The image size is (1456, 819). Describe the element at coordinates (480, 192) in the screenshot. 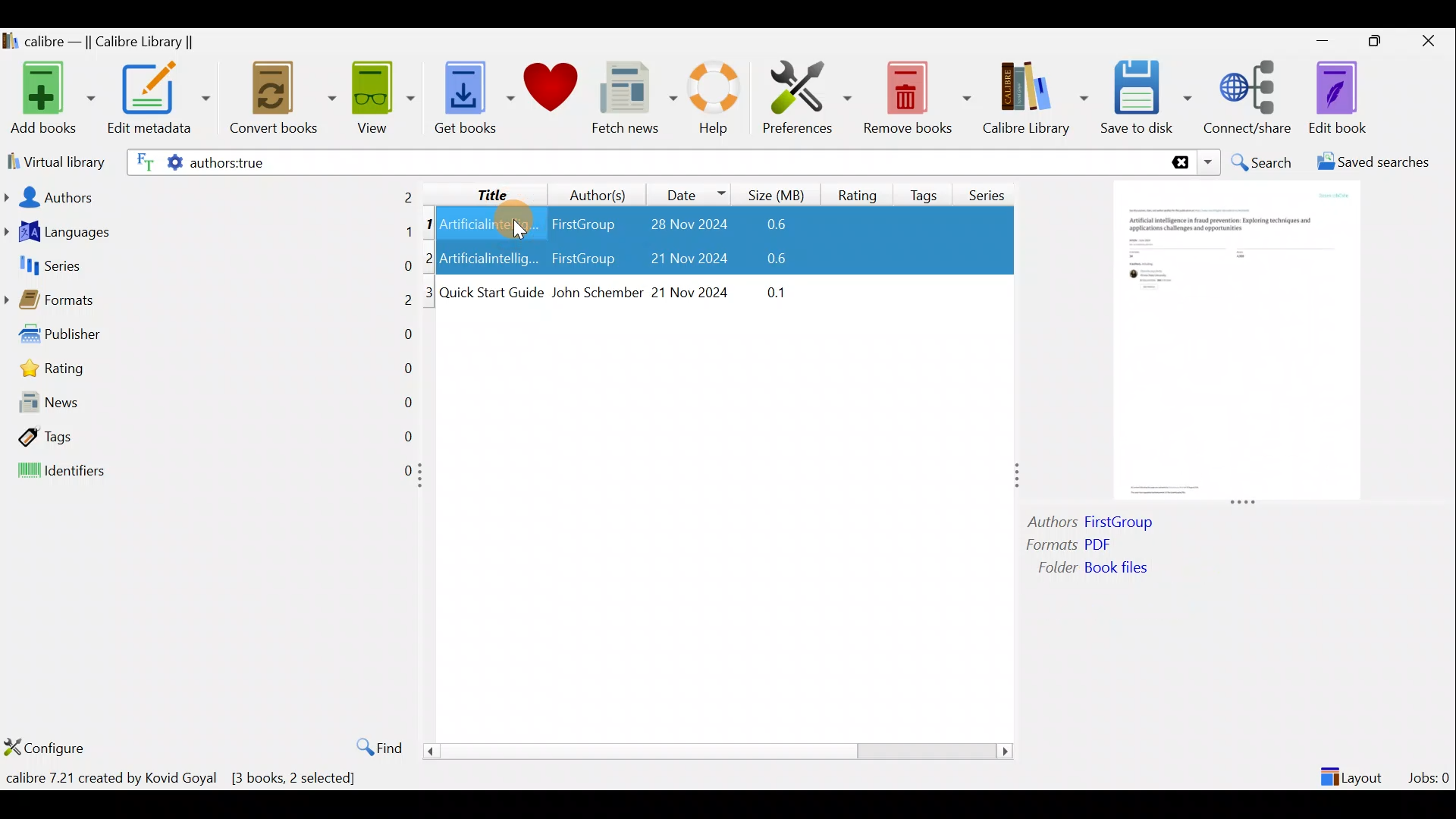

I see `Title` at that location.